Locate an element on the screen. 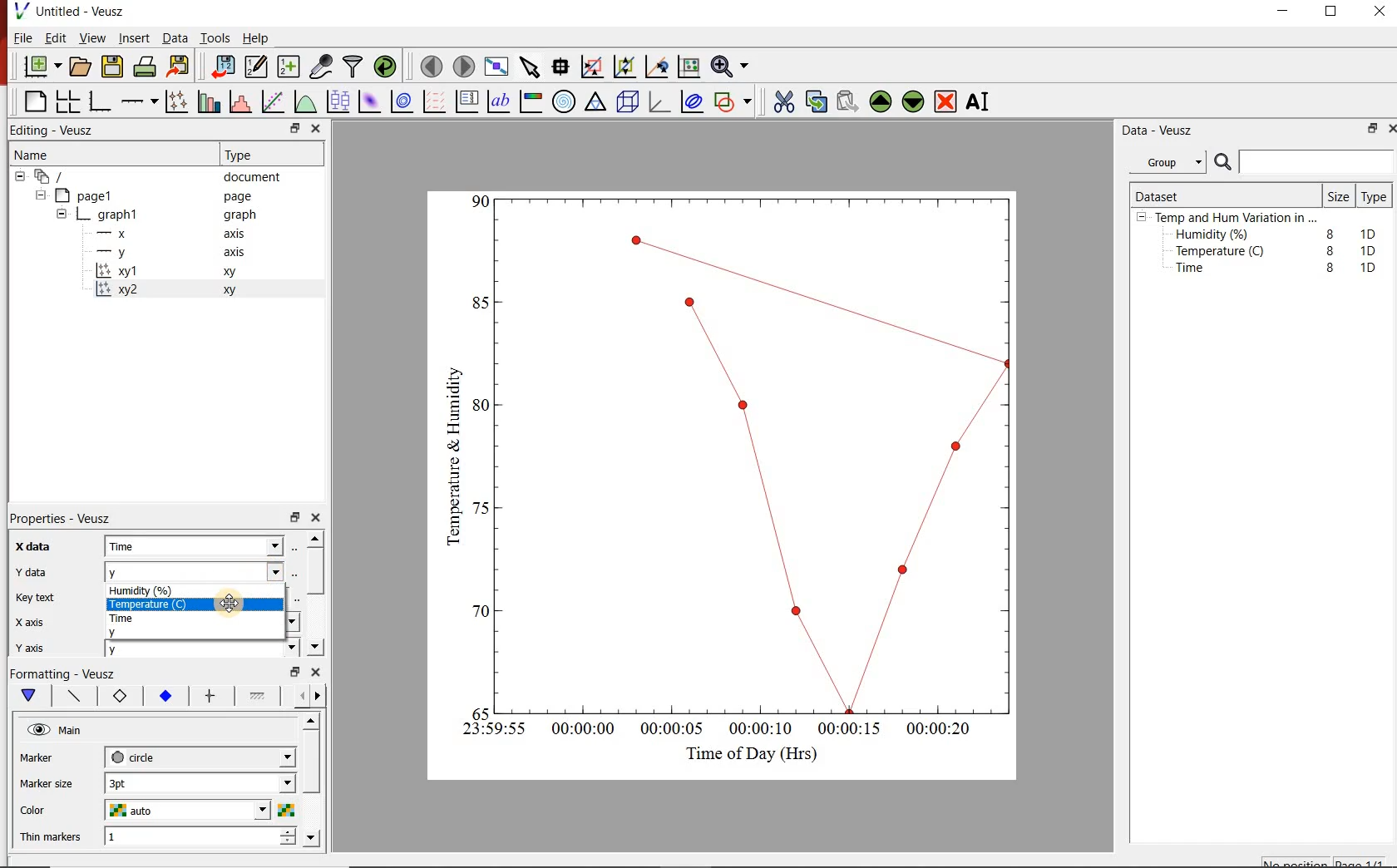 This screenshot has width=1397, height=868. y is located at coordinates (137, 653).